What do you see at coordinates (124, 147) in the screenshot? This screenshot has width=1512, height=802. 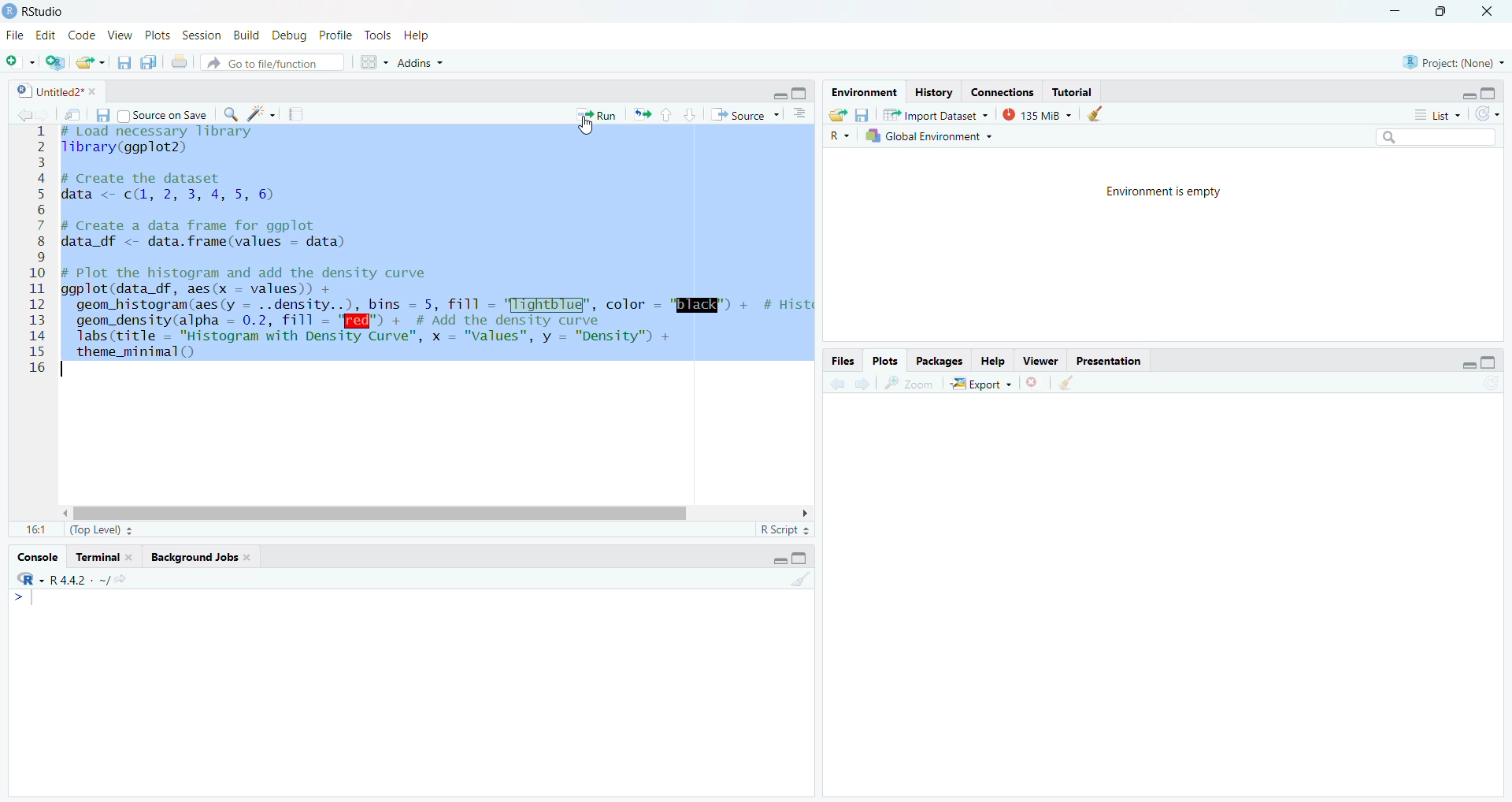 I see `library(ggplot)` at bounding box center [124, 147].